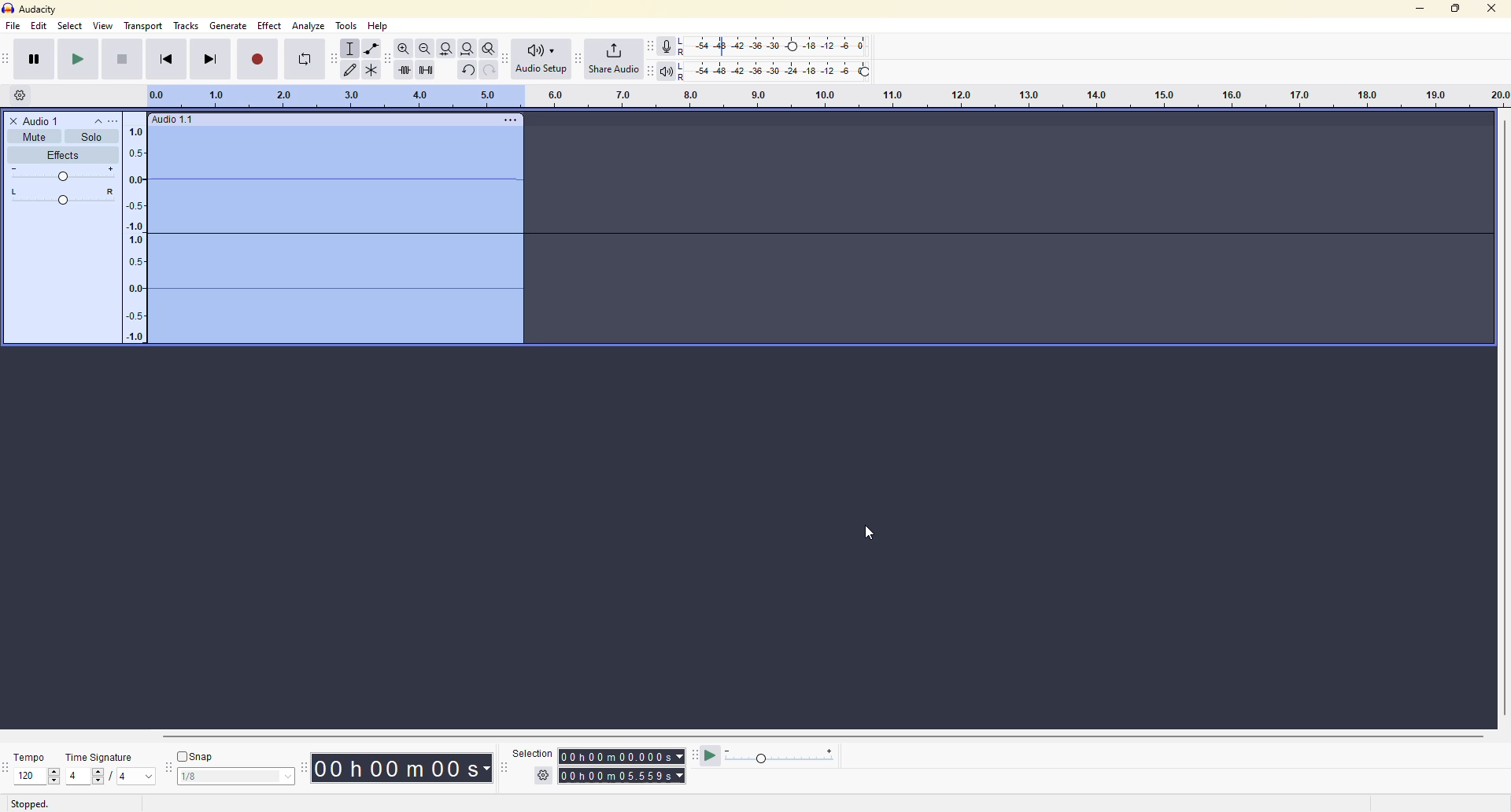  Describe the element at coordinates (227, 25) in the screenshot. I see `gennerate` at that location.